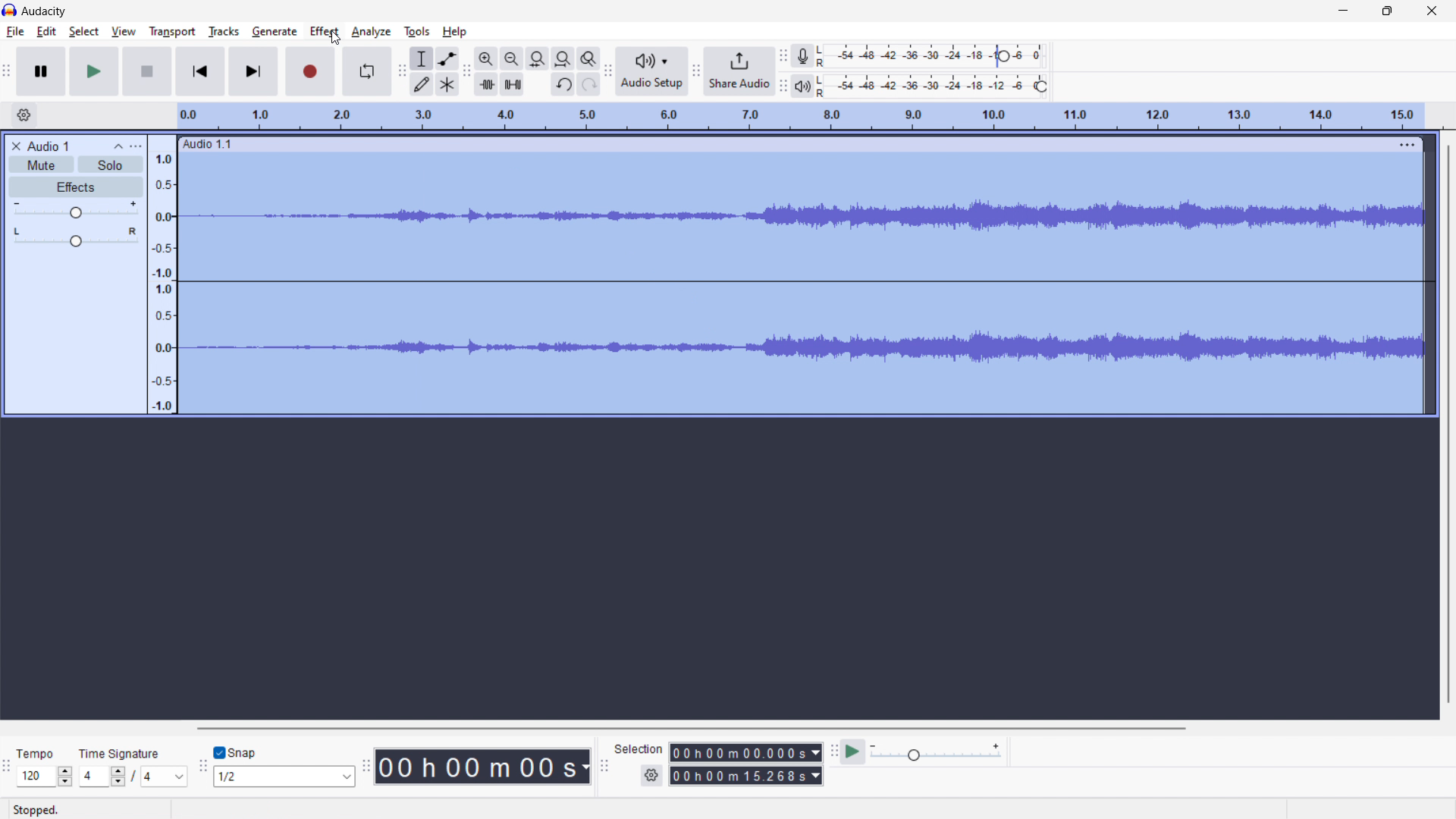 This screenshot has width=1456, height=819. Describe the element at coordinates (235, 752) in the screenshot. I see `toggle snap` at that location.